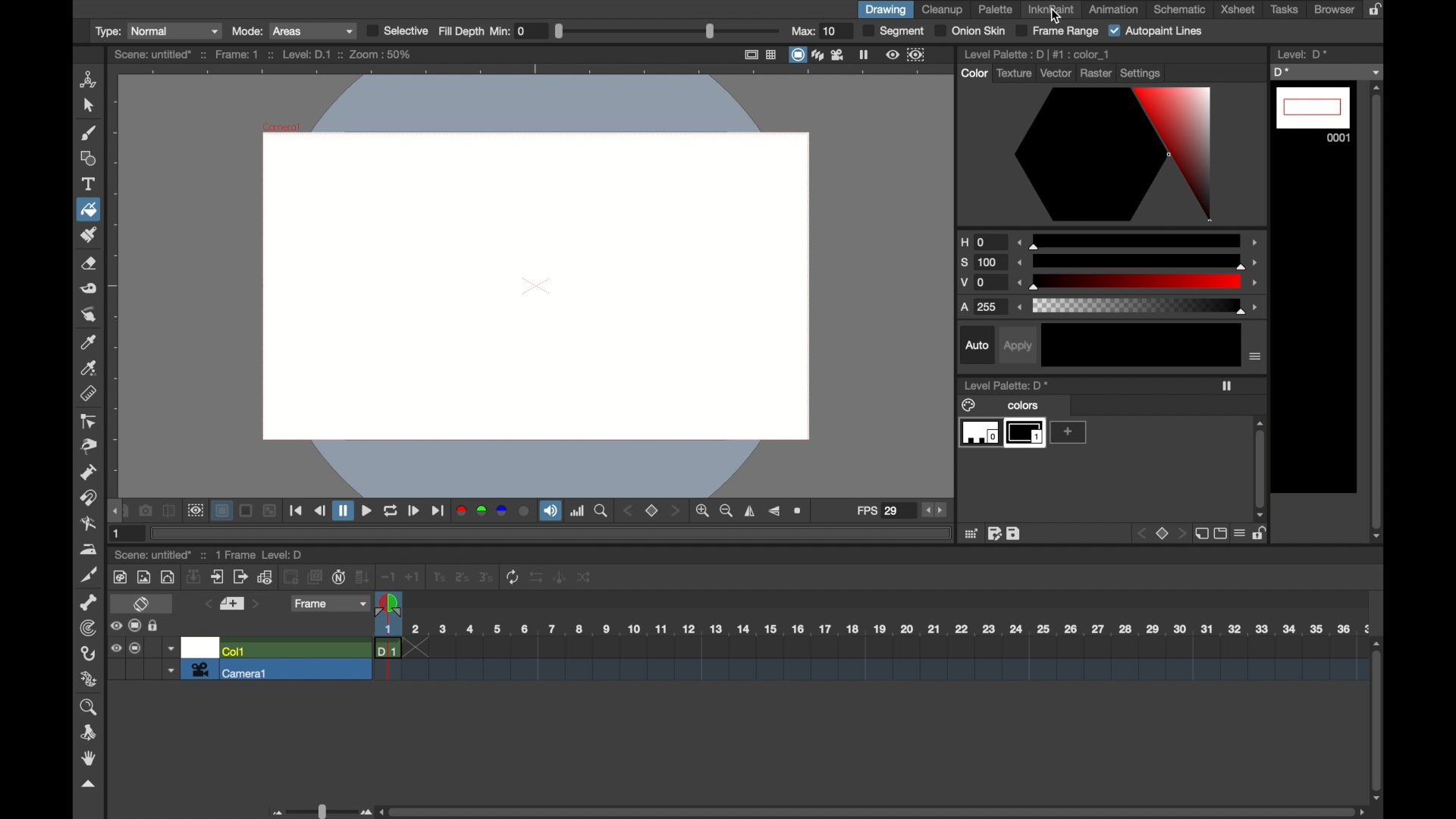  Describe the element at coordinates (971, 533) in the screenshot. I see `grid` at that location.